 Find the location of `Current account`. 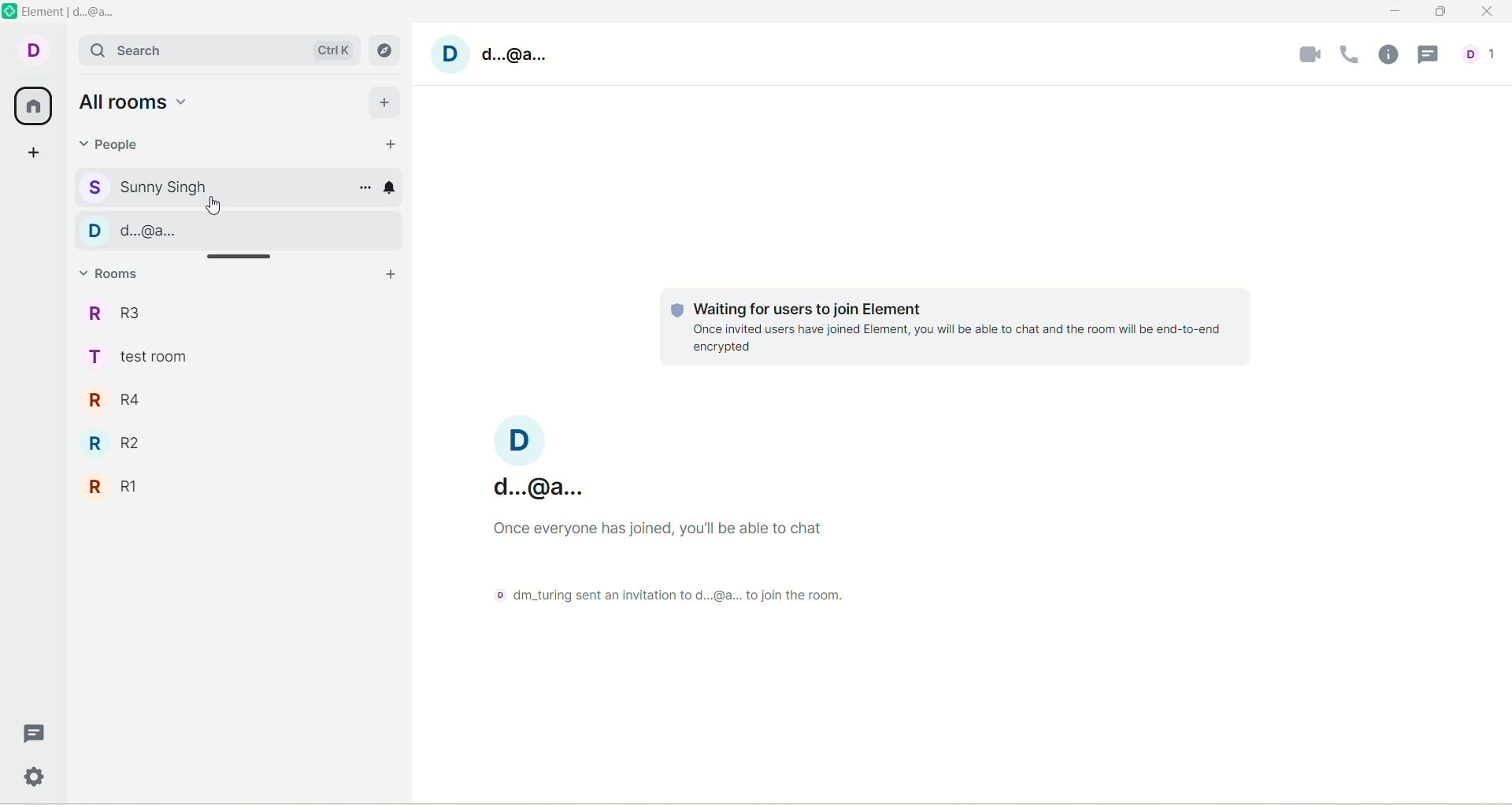

Current account is located at coordinates (537, 457).